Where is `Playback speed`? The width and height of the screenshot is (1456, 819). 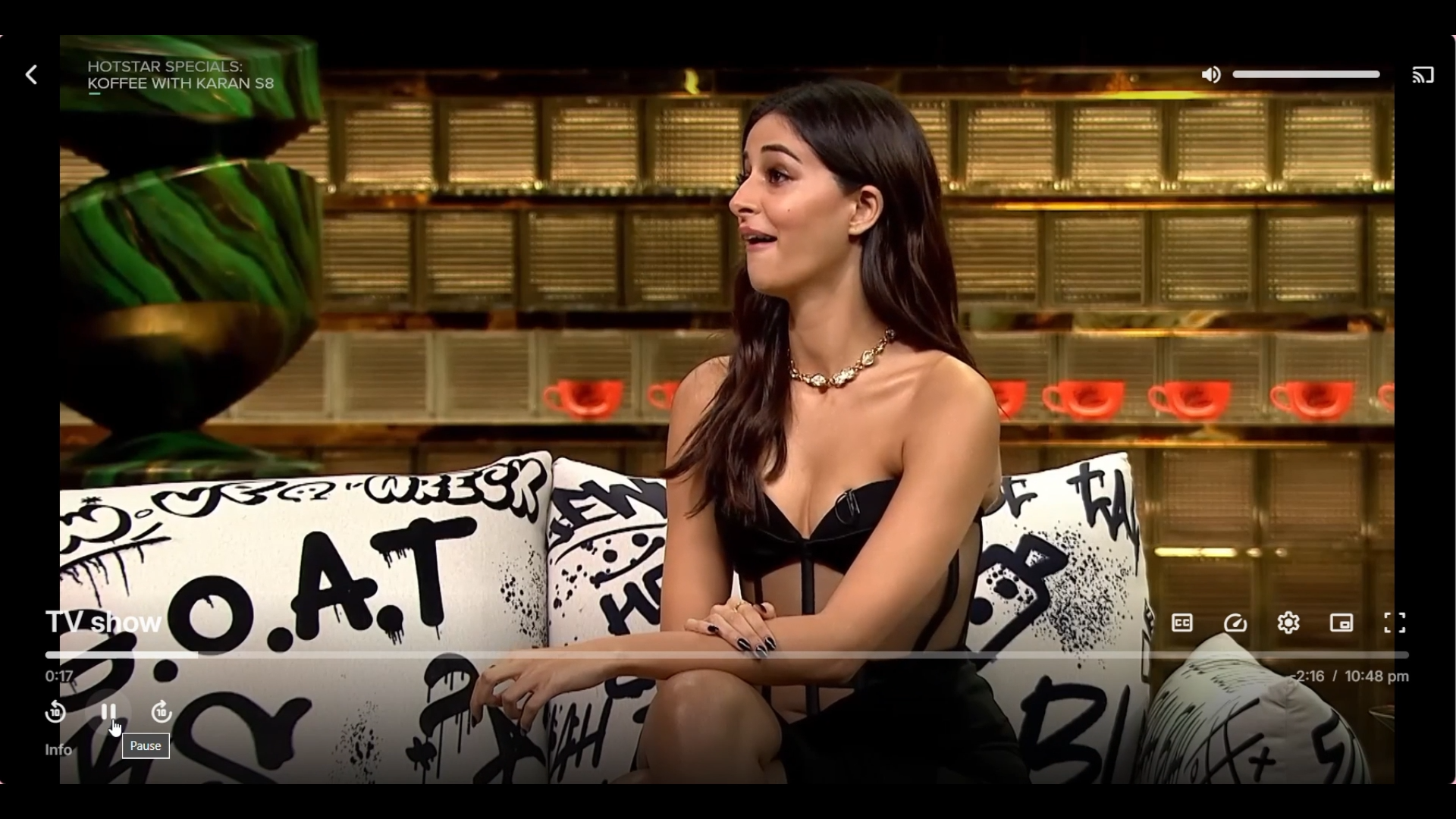 Playback speed is located at coordinates (1235, 624).